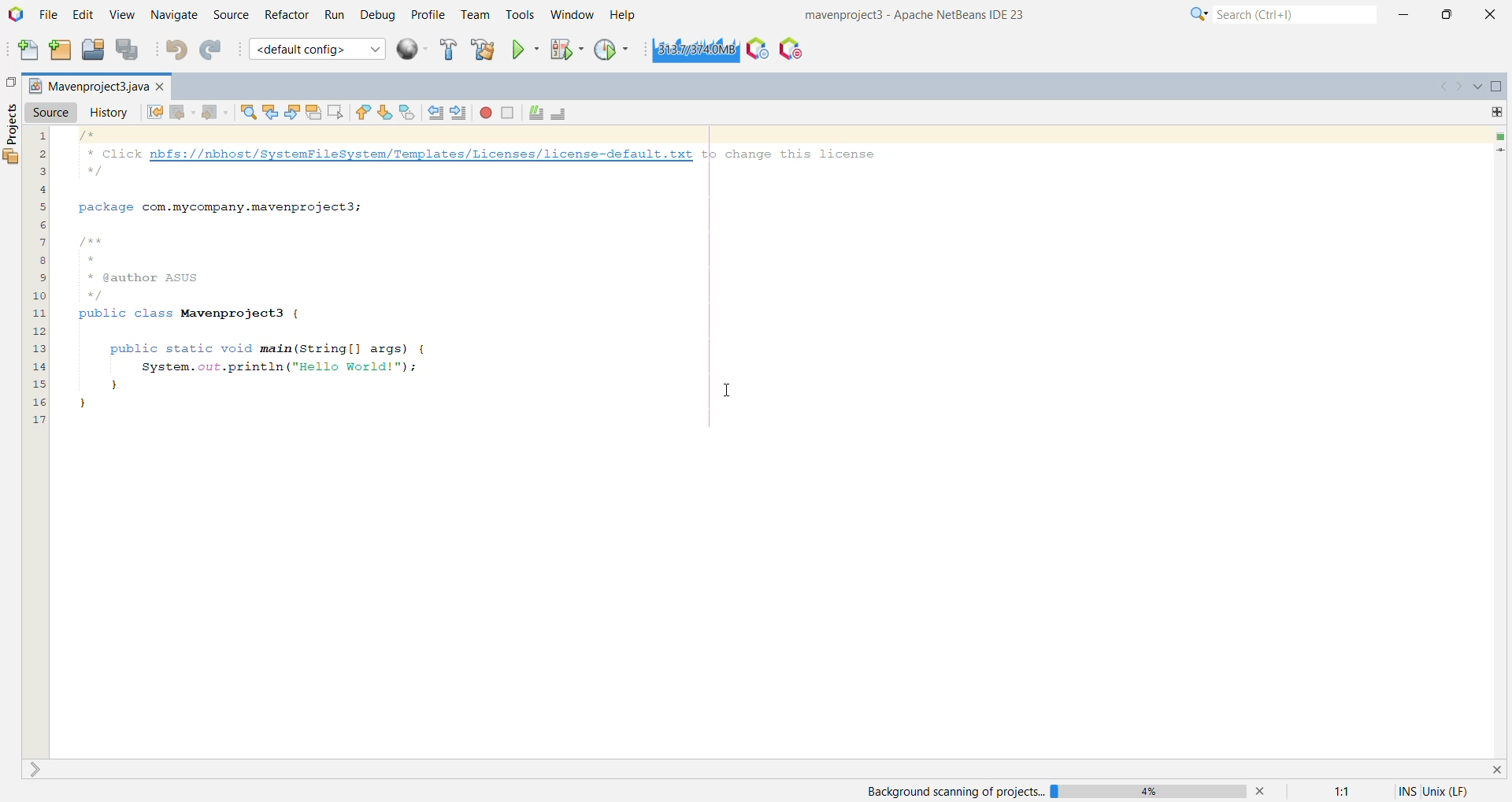  What do you see at coordinates (483, 50) in the screenshot?
I see `Clean and Build Project` at bounding box center [483, 50].